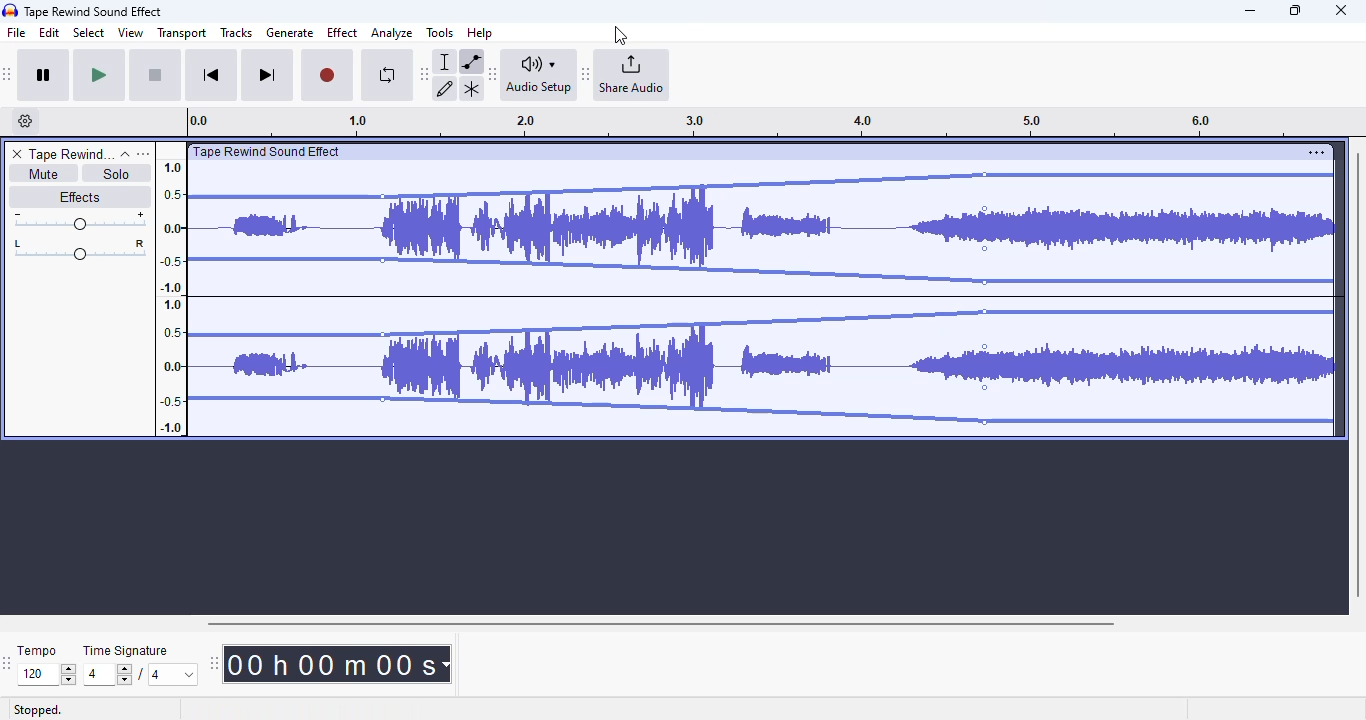 The width and height of the screenshot is (1366, 720). Describe the element at coordinates (17, 33) in the screenshot. I see `file` at that location.